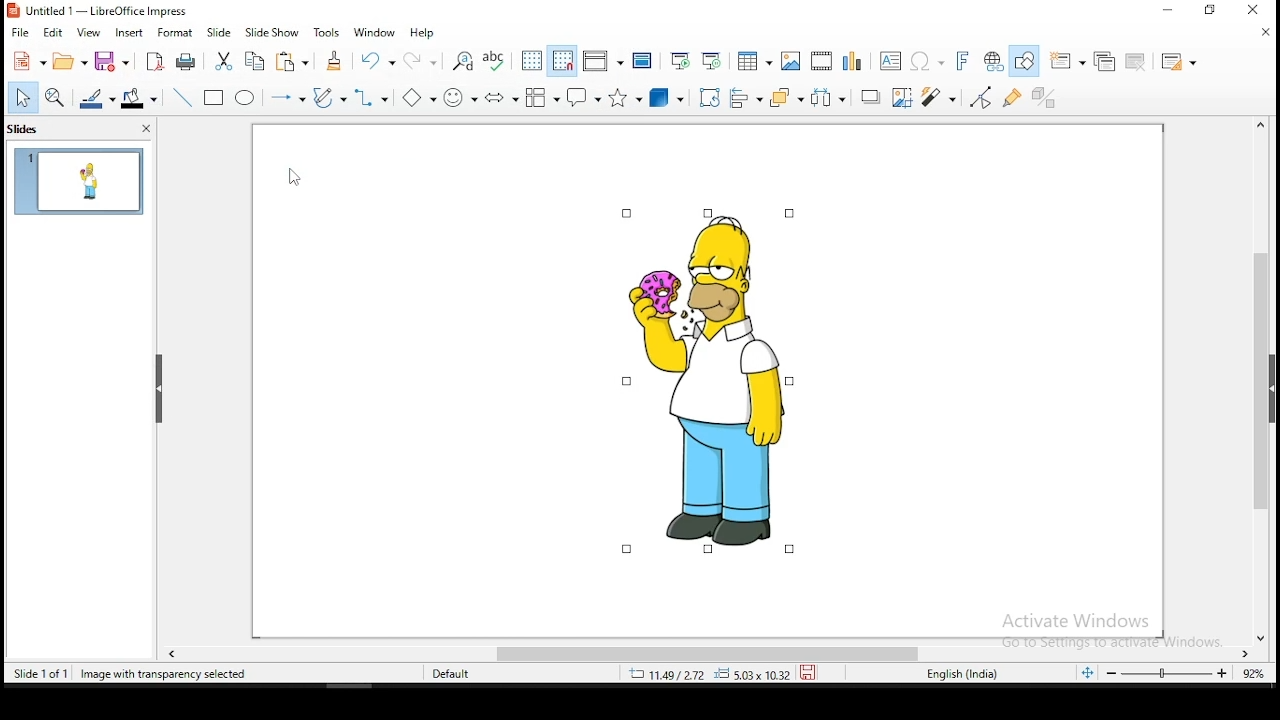  Describe the element at coordinates (172, 655) in the screenshot. I see `scoll left` at that location.